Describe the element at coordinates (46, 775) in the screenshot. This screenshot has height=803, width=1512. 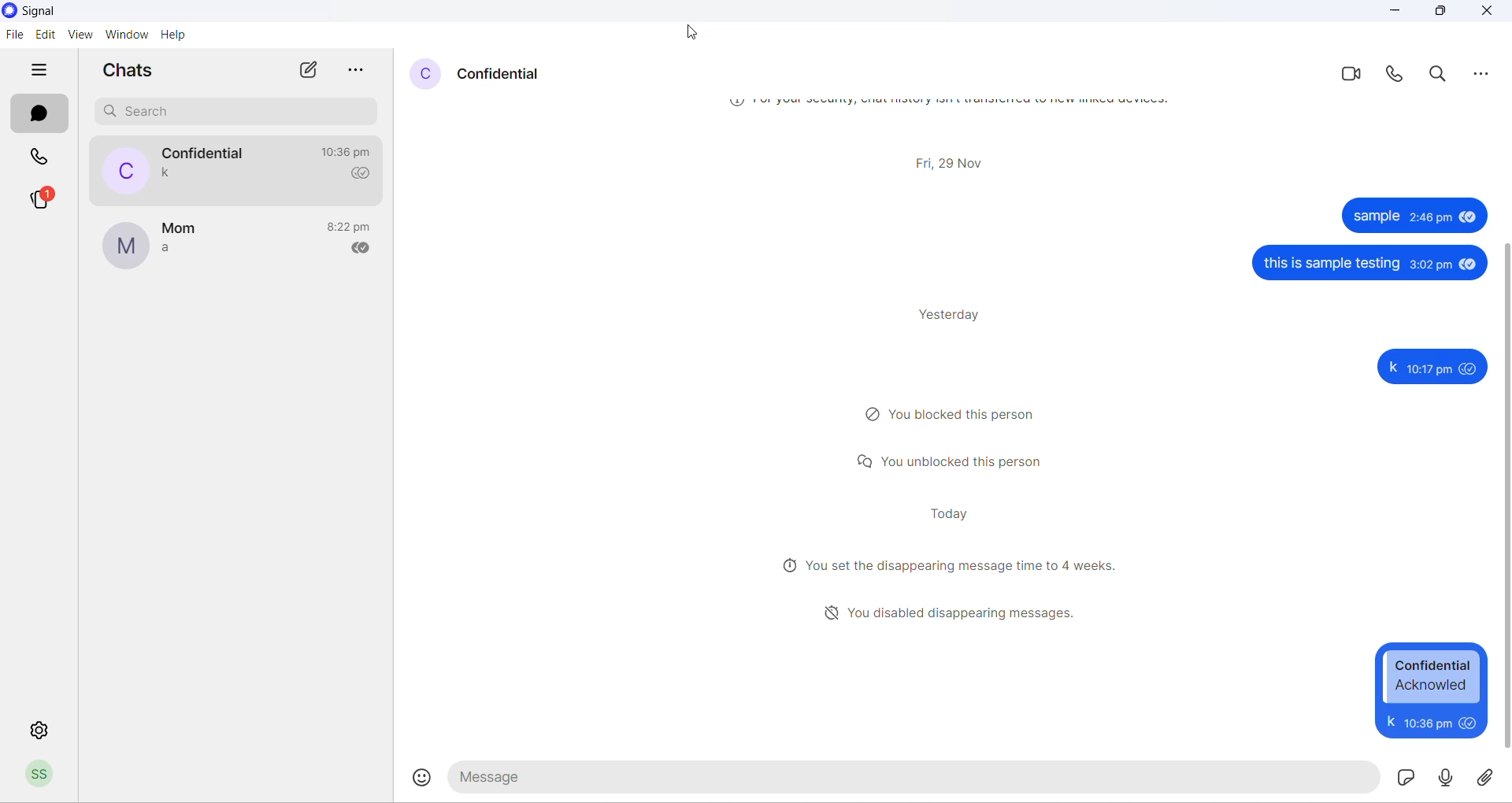
I see `profile` at that location.